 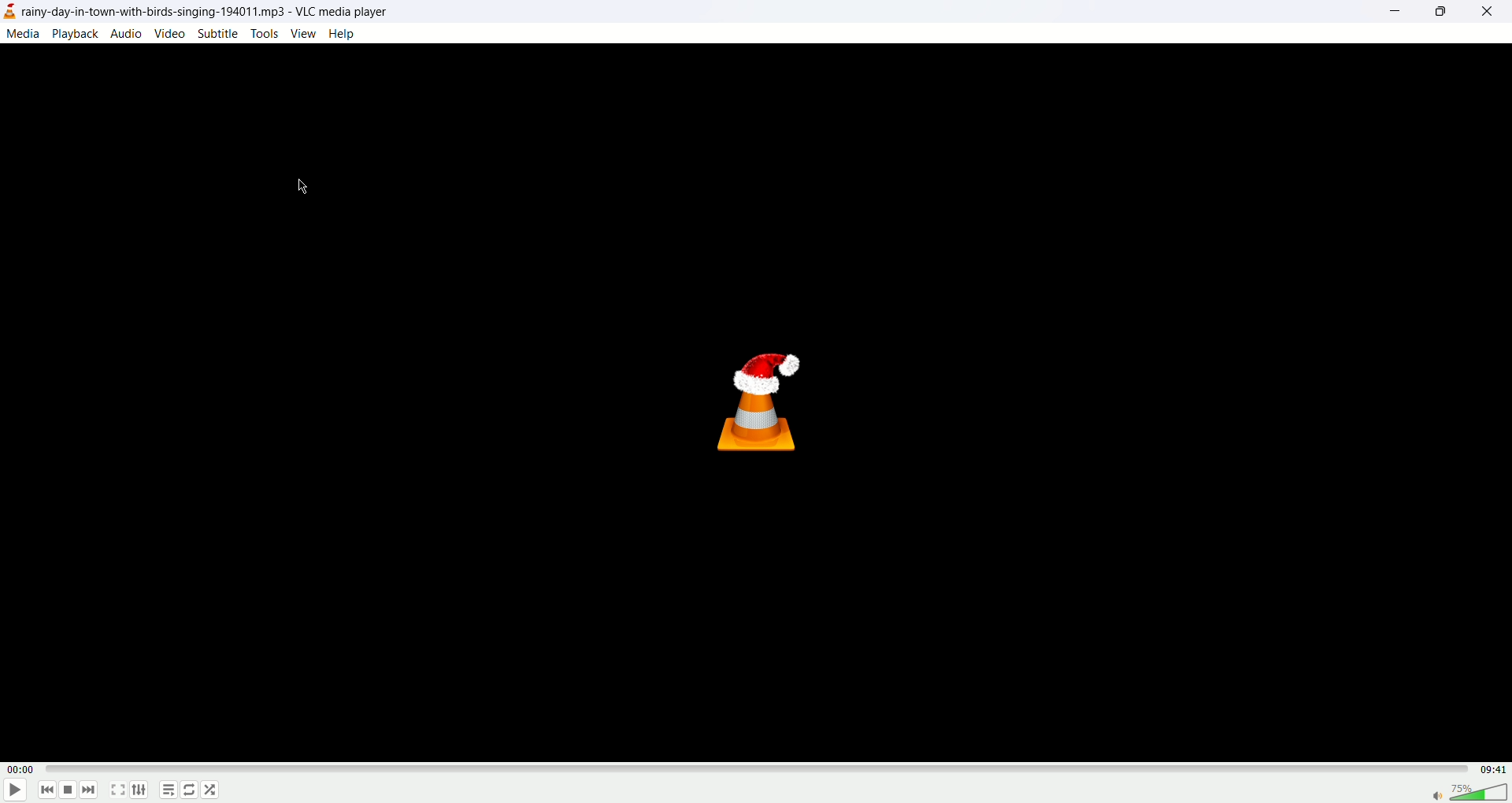 I want to click on cursor, so click(x=302, y=189).